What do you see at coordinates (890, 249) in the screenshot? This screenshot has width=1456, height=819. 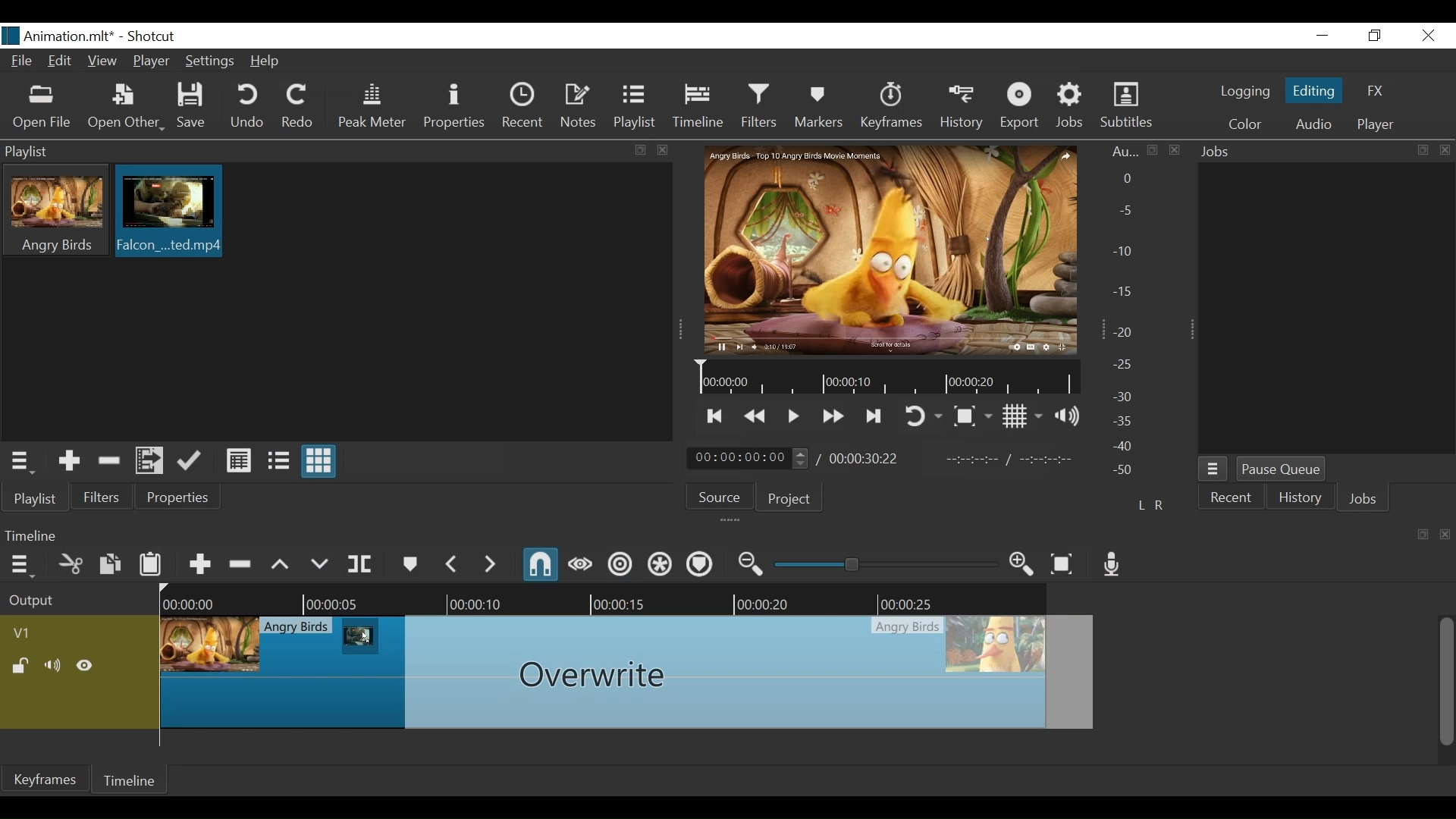 I see `Media Viewer` at bounding box center [890, 249].